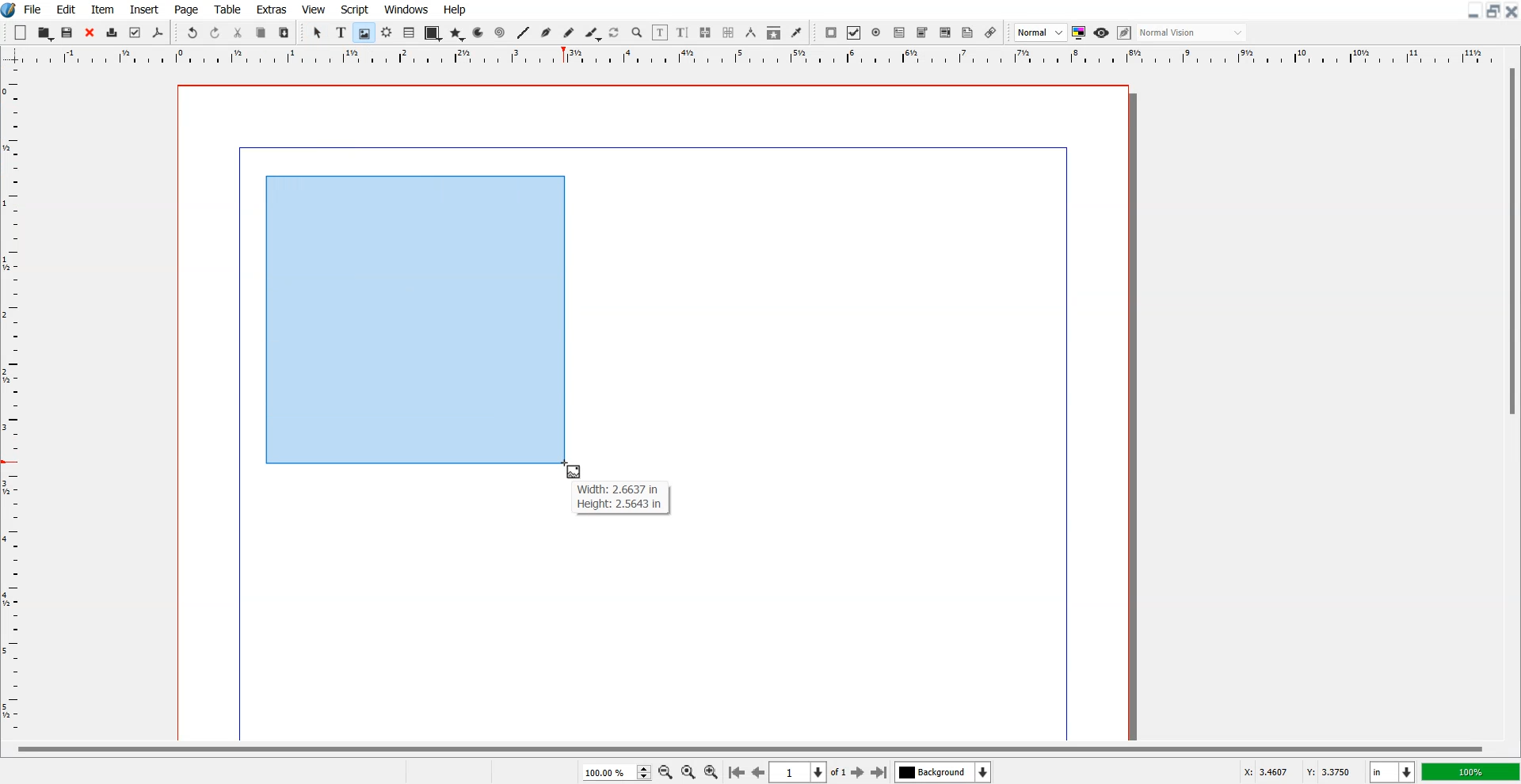 This screenshot has width=1521, height=784. What do you see at coordinates (665, 771) in the screenshot?
I see `Zoom Out` at bounding box center [665, 771].